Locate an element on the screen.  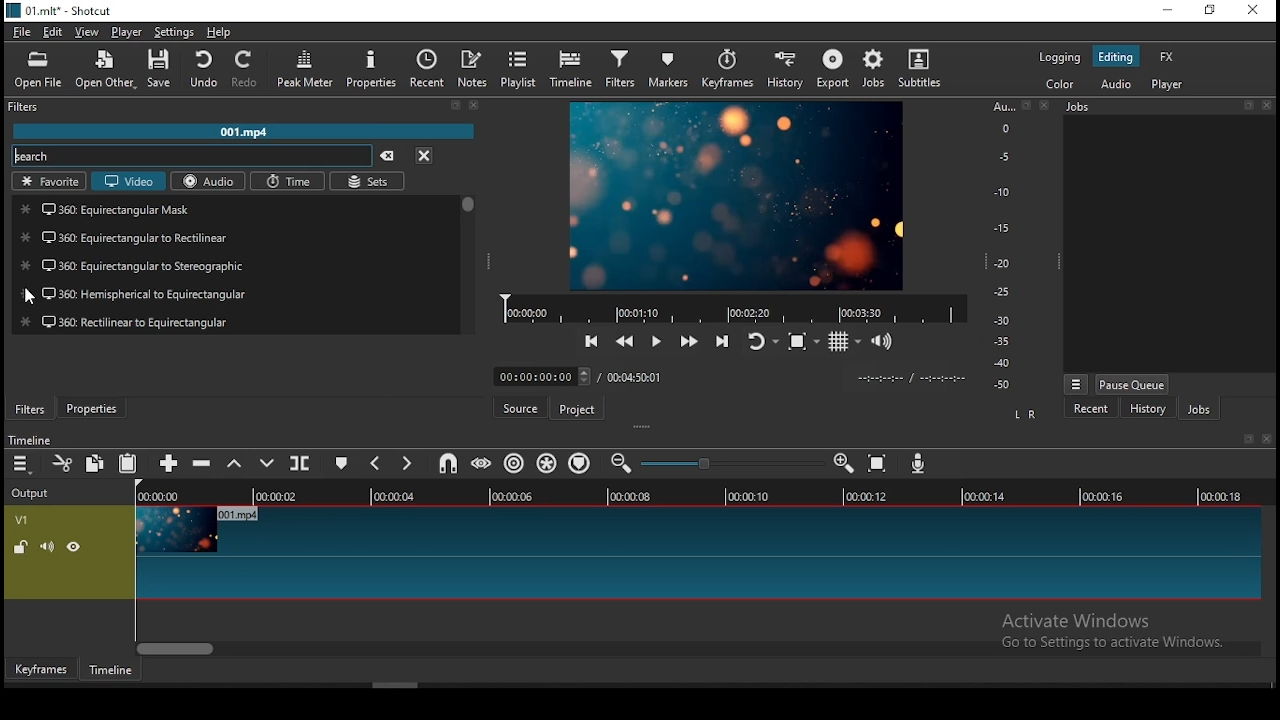
filter option is located at coordinates (235, 294).